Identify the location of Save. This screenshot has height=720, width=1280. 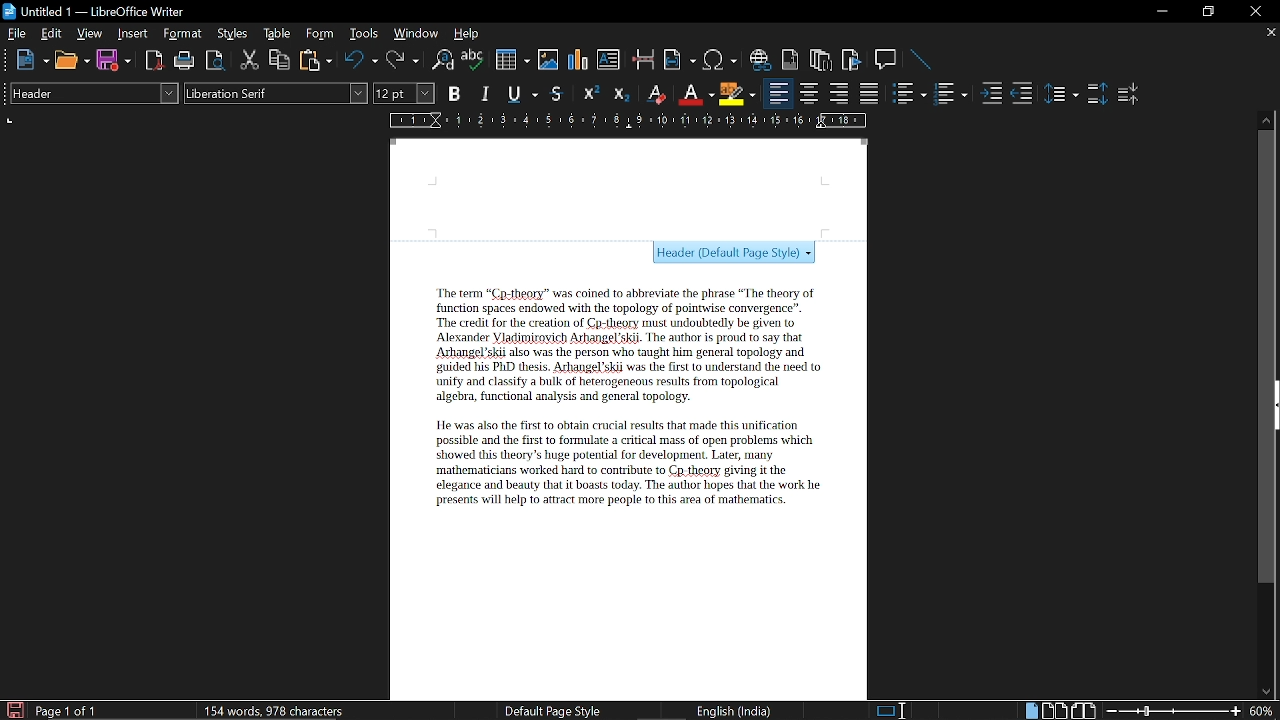
(13, 710).